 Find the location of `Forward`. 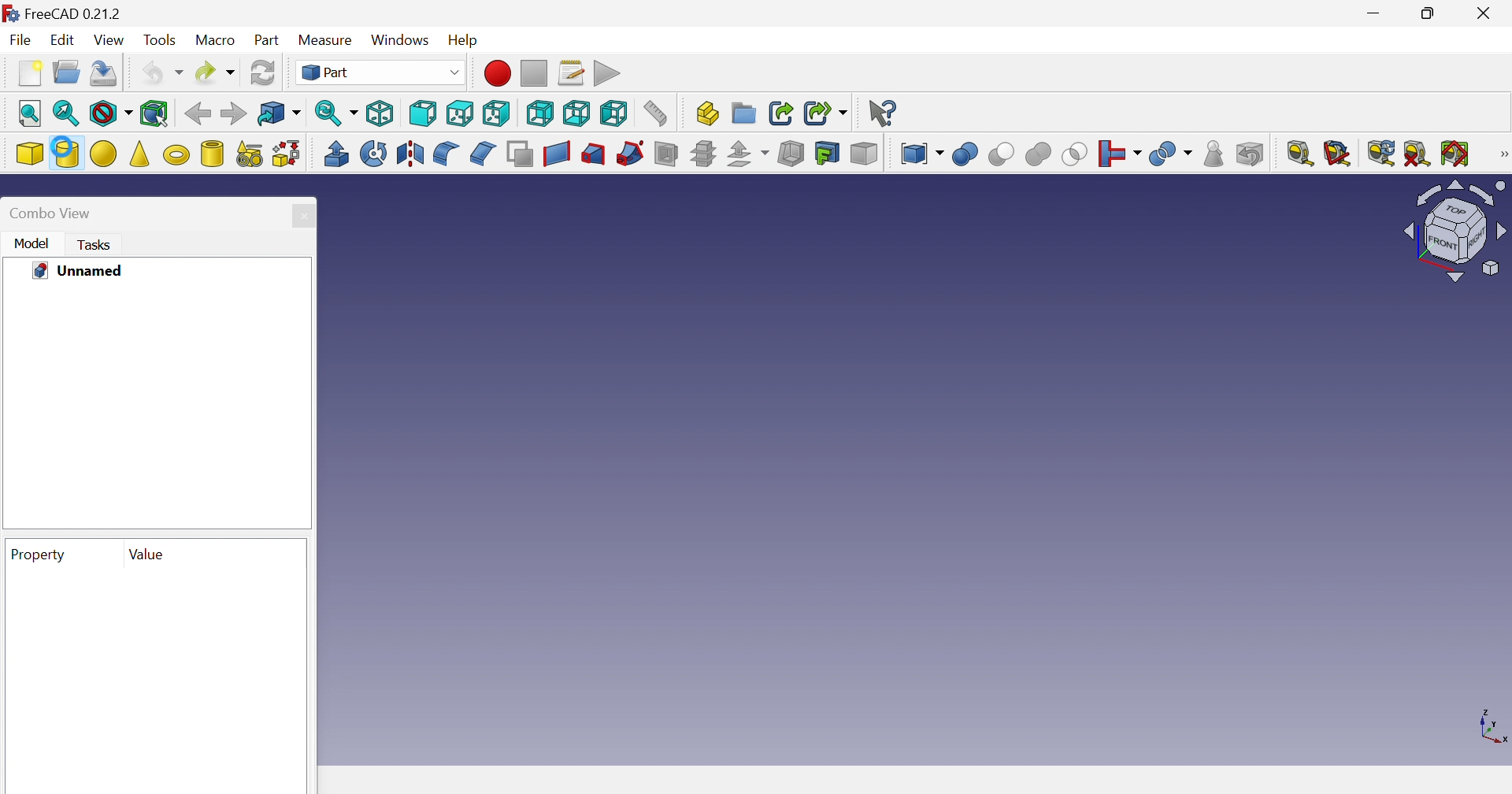

Forward is located at coordinates (232, 113).